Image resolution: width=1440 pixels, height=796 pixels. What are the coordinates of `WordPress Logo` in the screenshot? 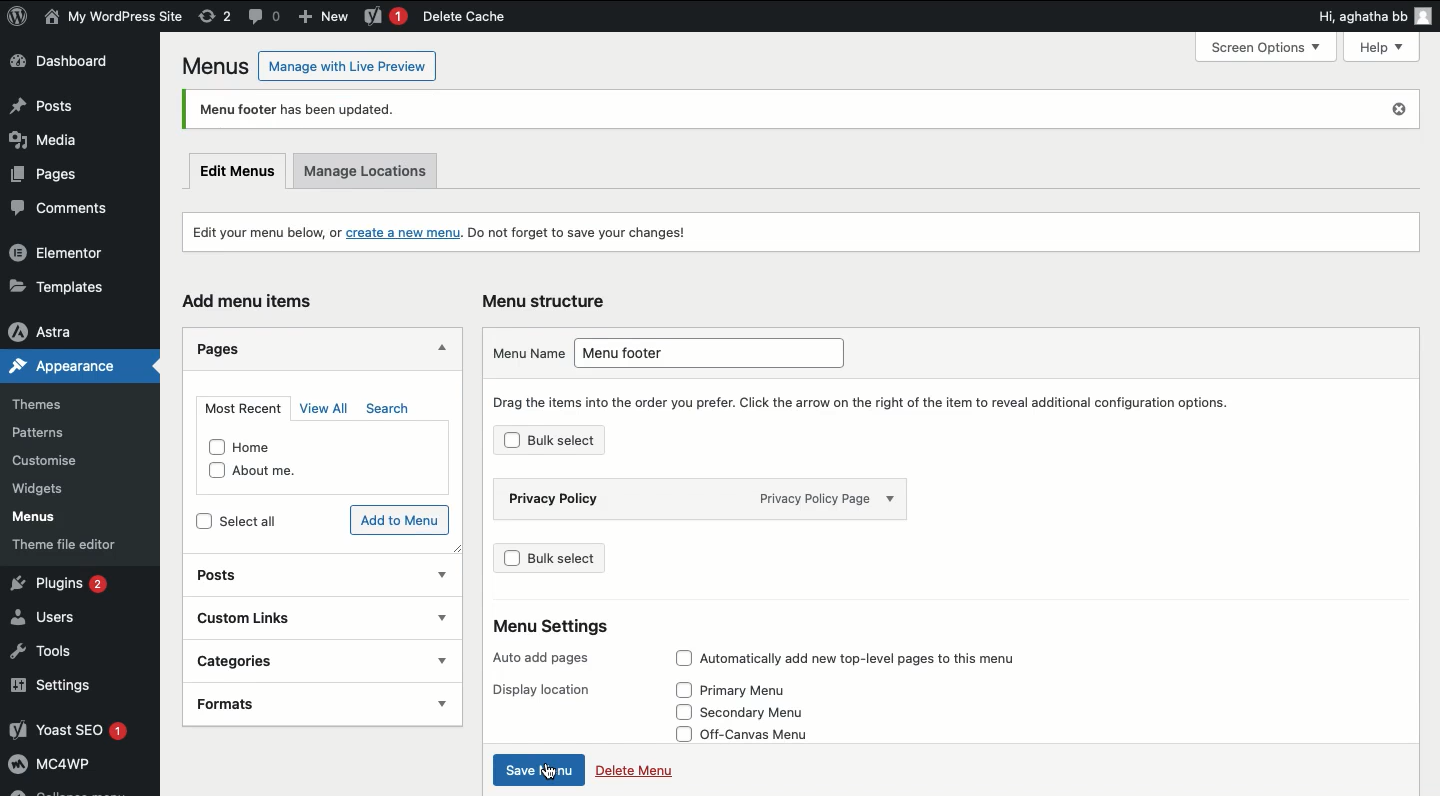 It's located at (18, 16).